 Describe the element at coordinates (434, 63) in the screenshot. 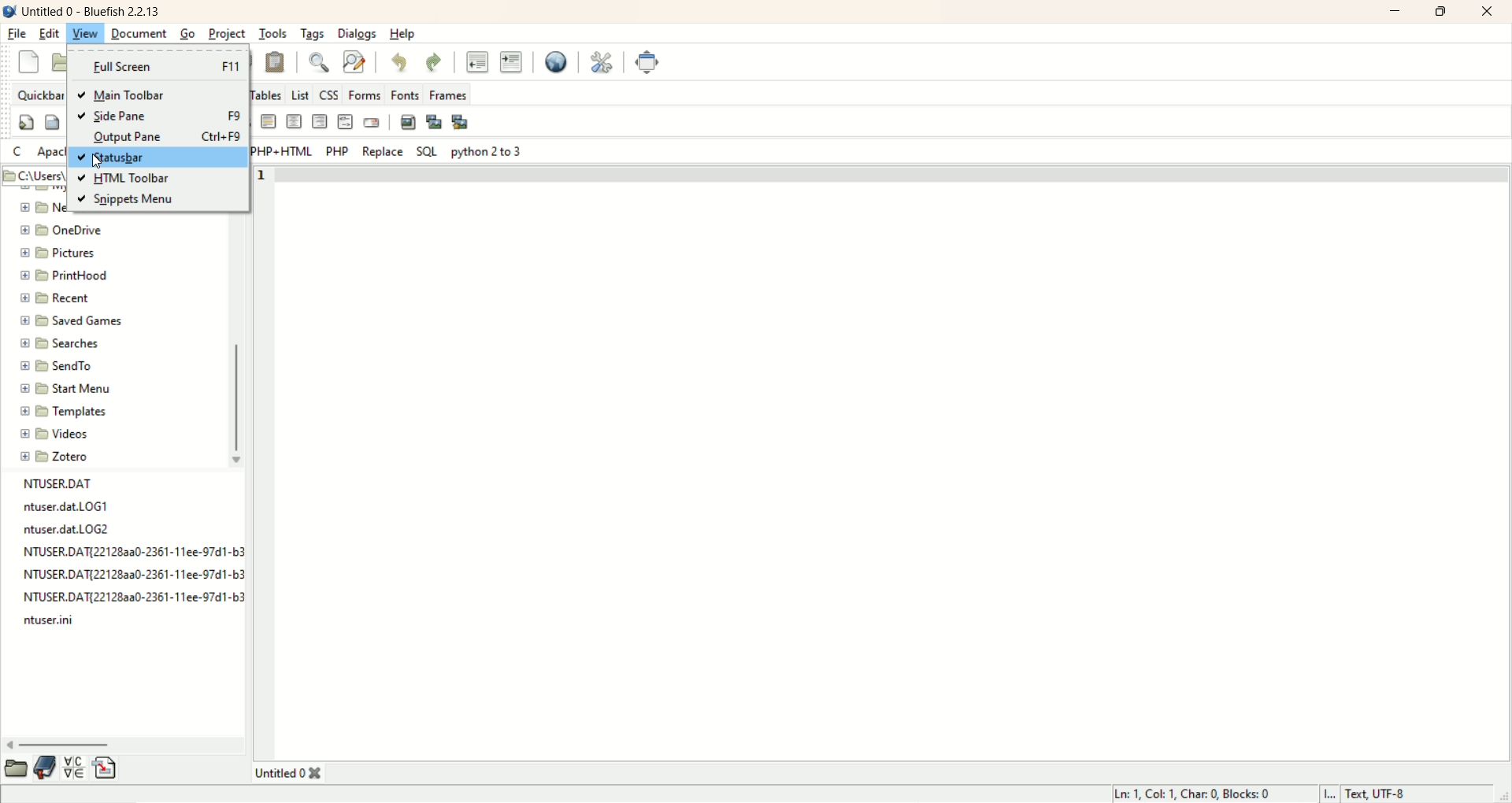

I see `redo` at that location.